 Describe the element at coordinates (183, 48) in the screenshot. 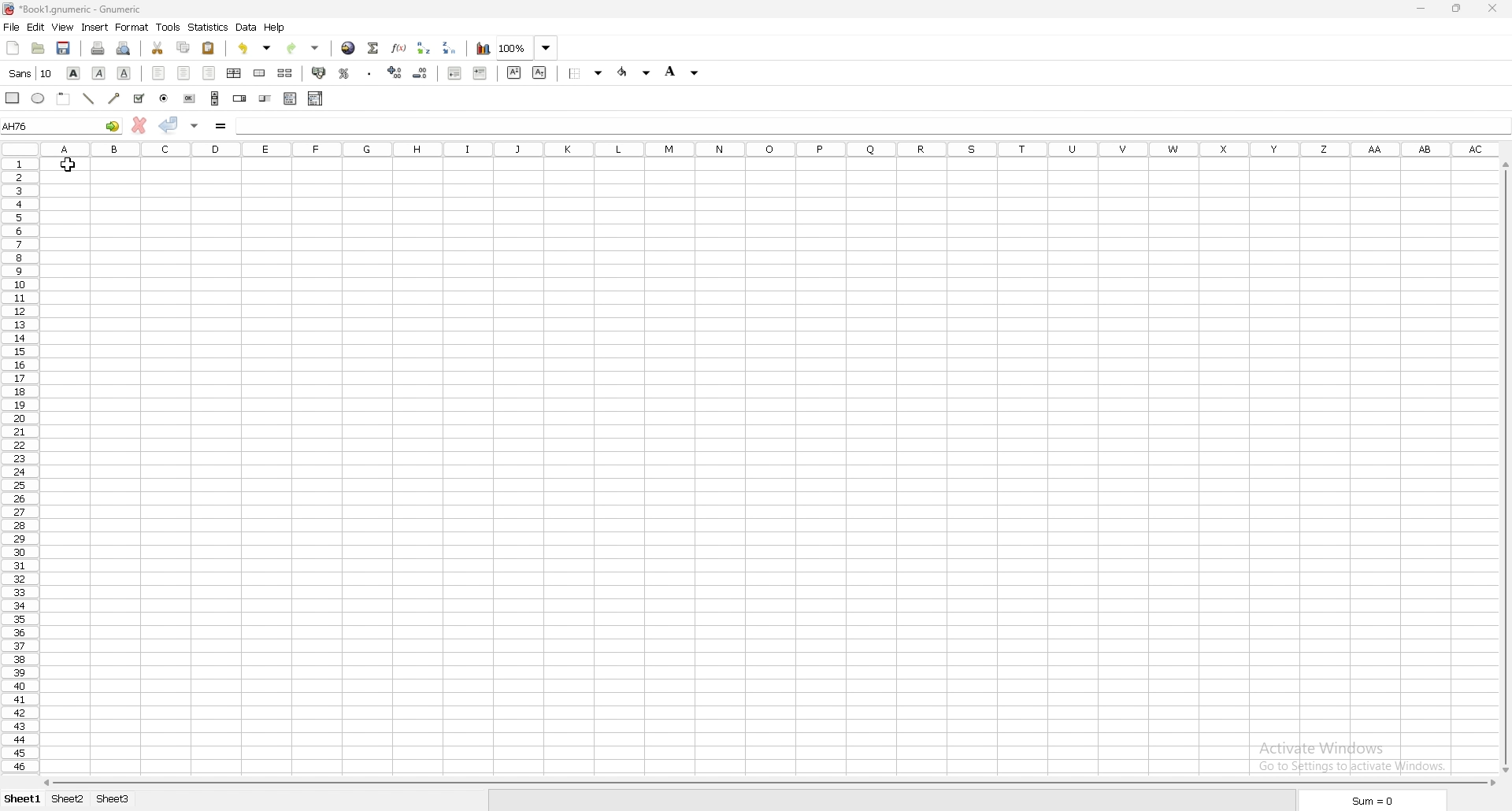

I see `copy` at that location.